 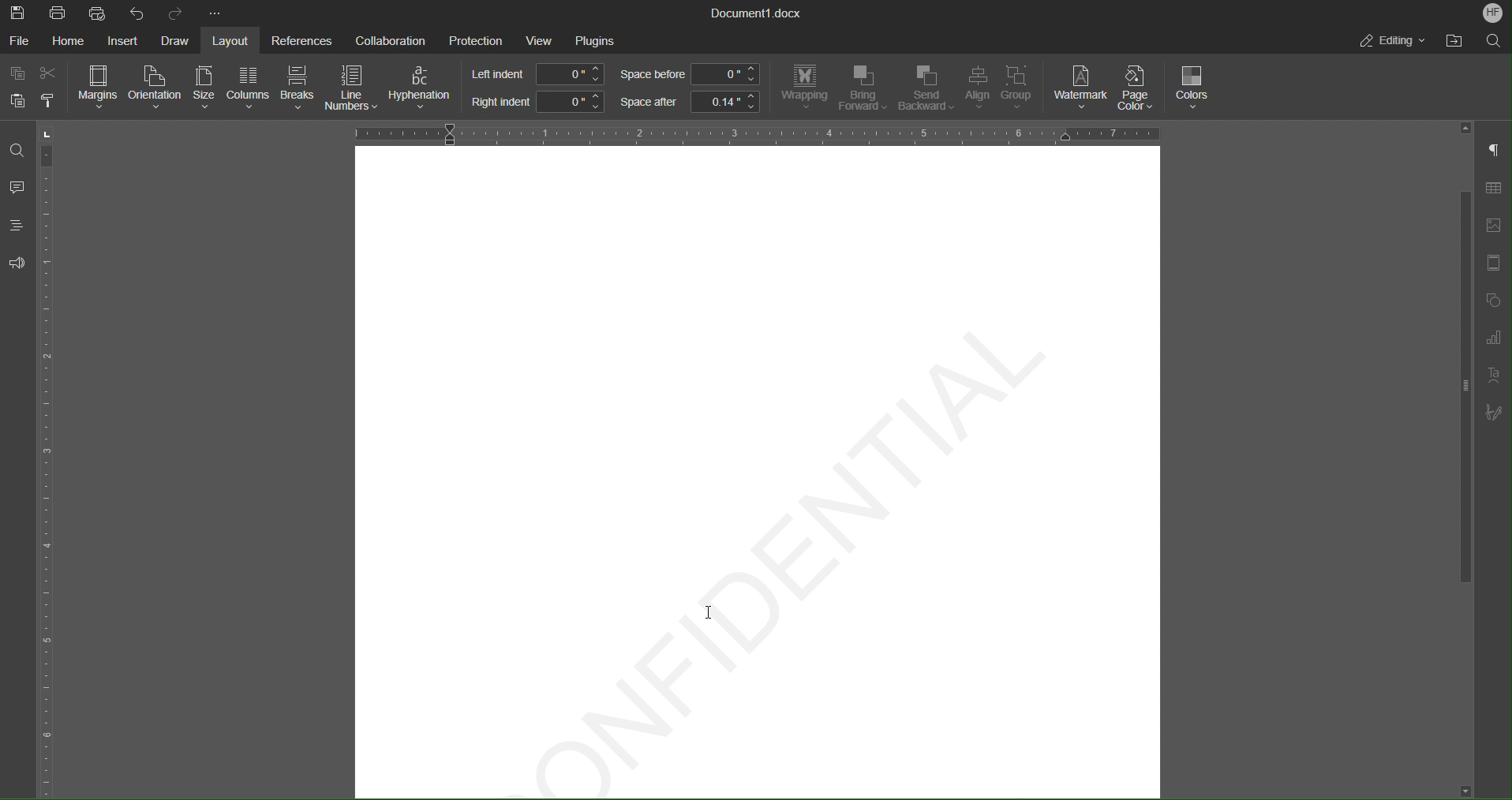 I want to click on Insert Image, so click(x=1493, y=226).